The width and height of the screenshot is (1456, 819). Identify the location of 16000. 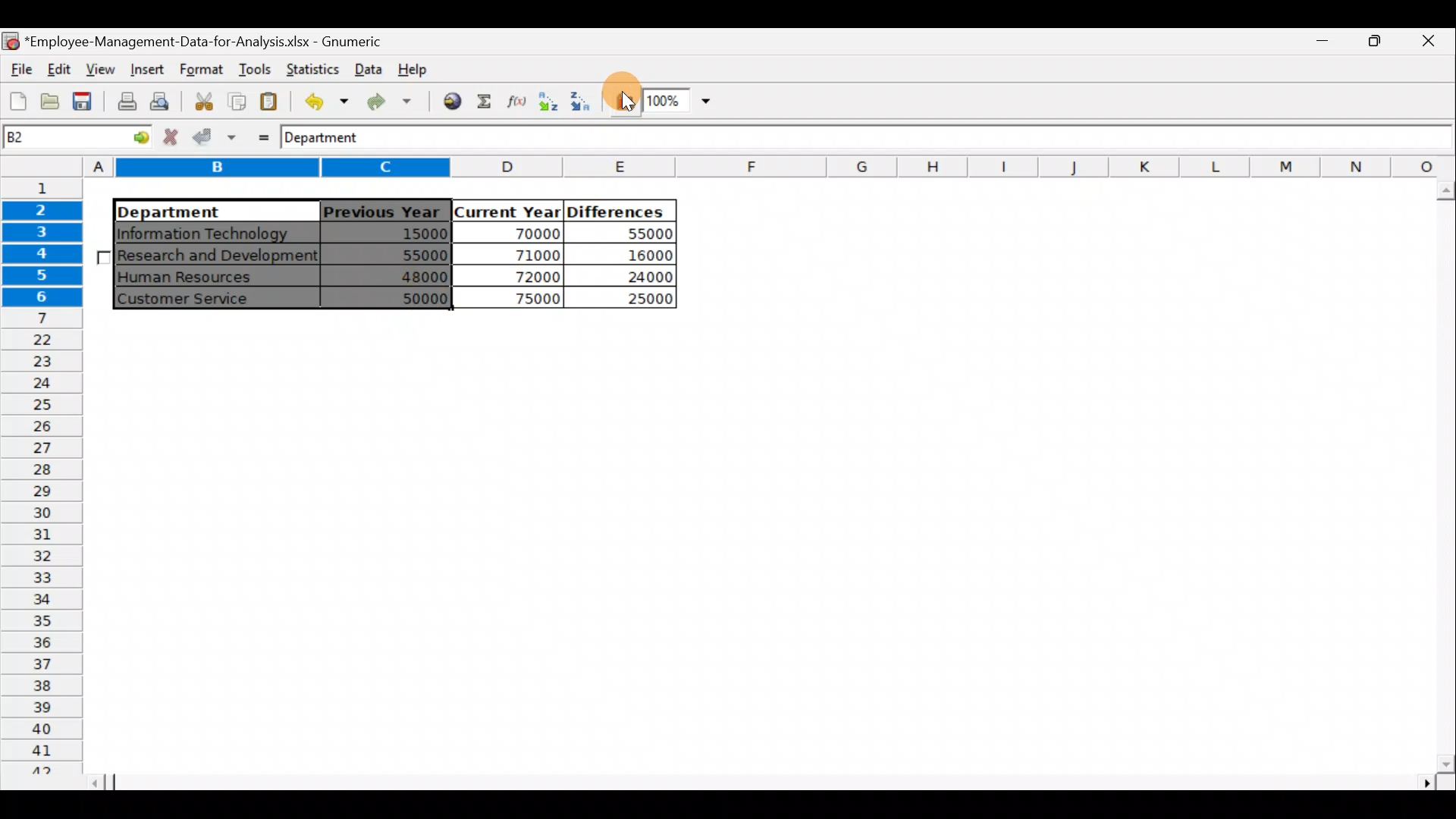
(638, 256).